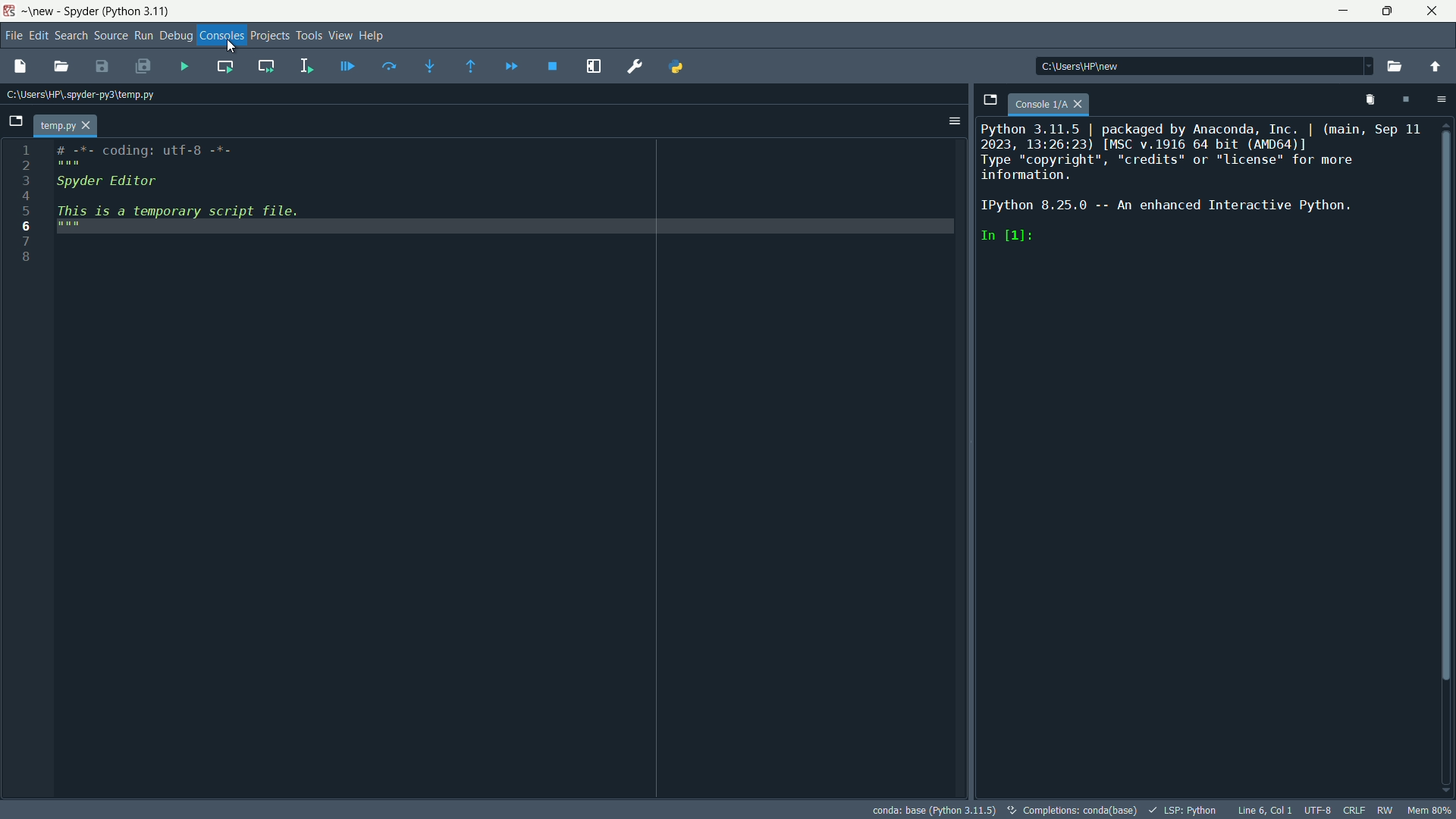  What do you see at coordinates (505, 66) in the screenshot?
I see `continue execution until next breakpoint` at bounding box center [505, 66].